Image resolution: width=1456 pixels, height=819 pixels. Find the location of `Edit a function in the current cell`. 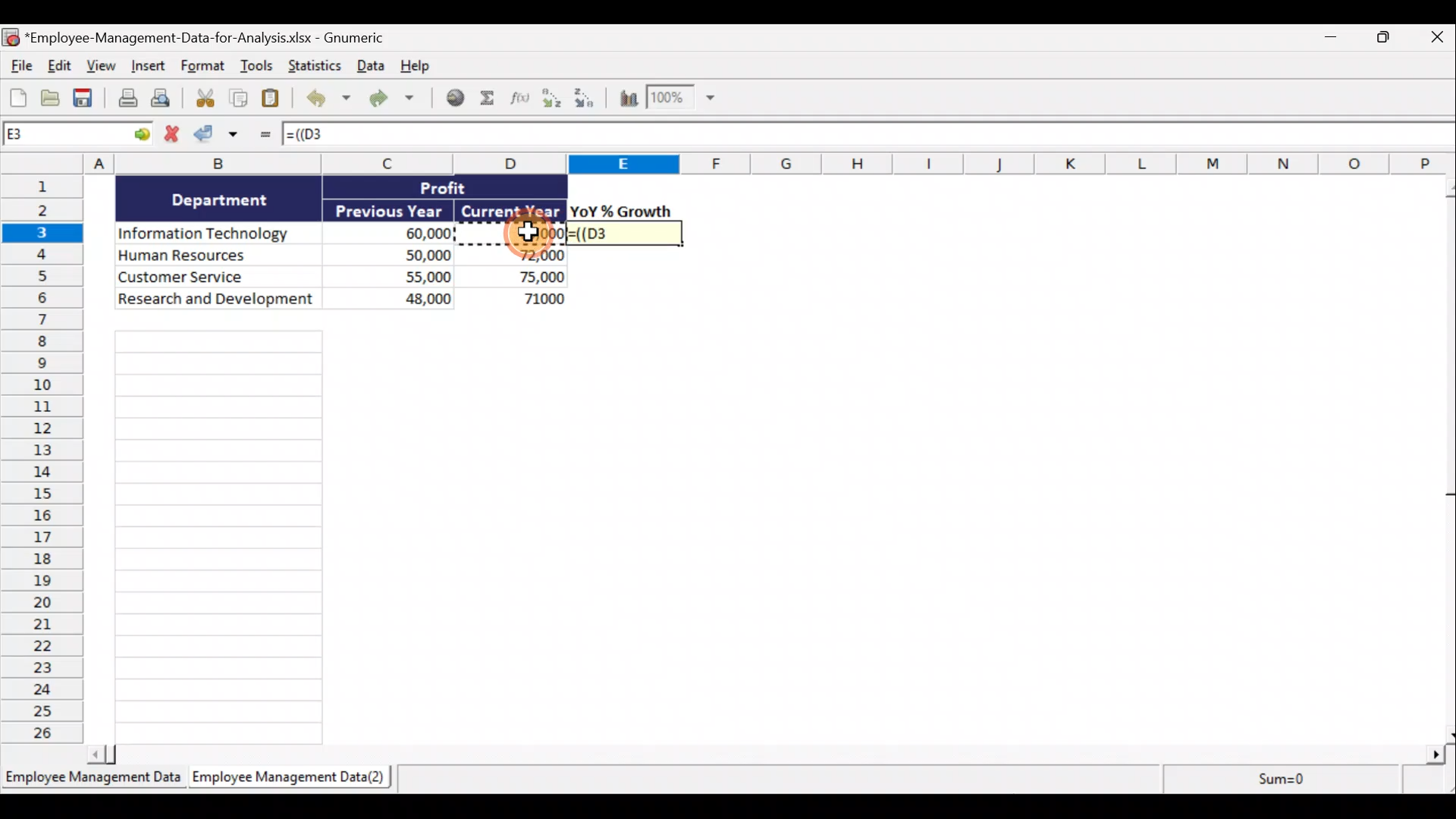

Edit a function in the current cell is located at coordinates (524, 102).